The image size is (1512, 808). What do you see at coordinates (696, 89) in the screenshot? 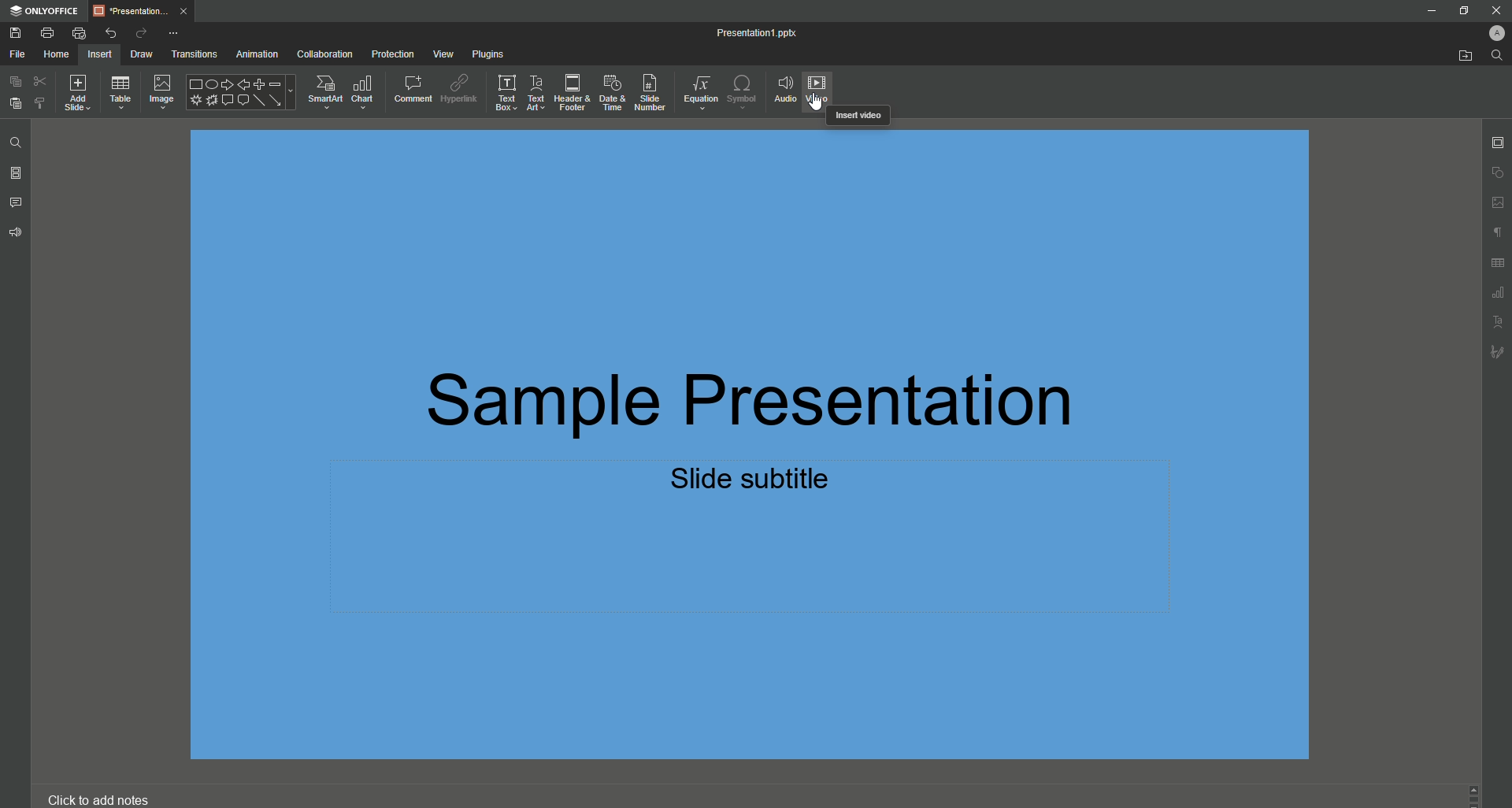
I see `Equation` at bounding box center [696, 89].